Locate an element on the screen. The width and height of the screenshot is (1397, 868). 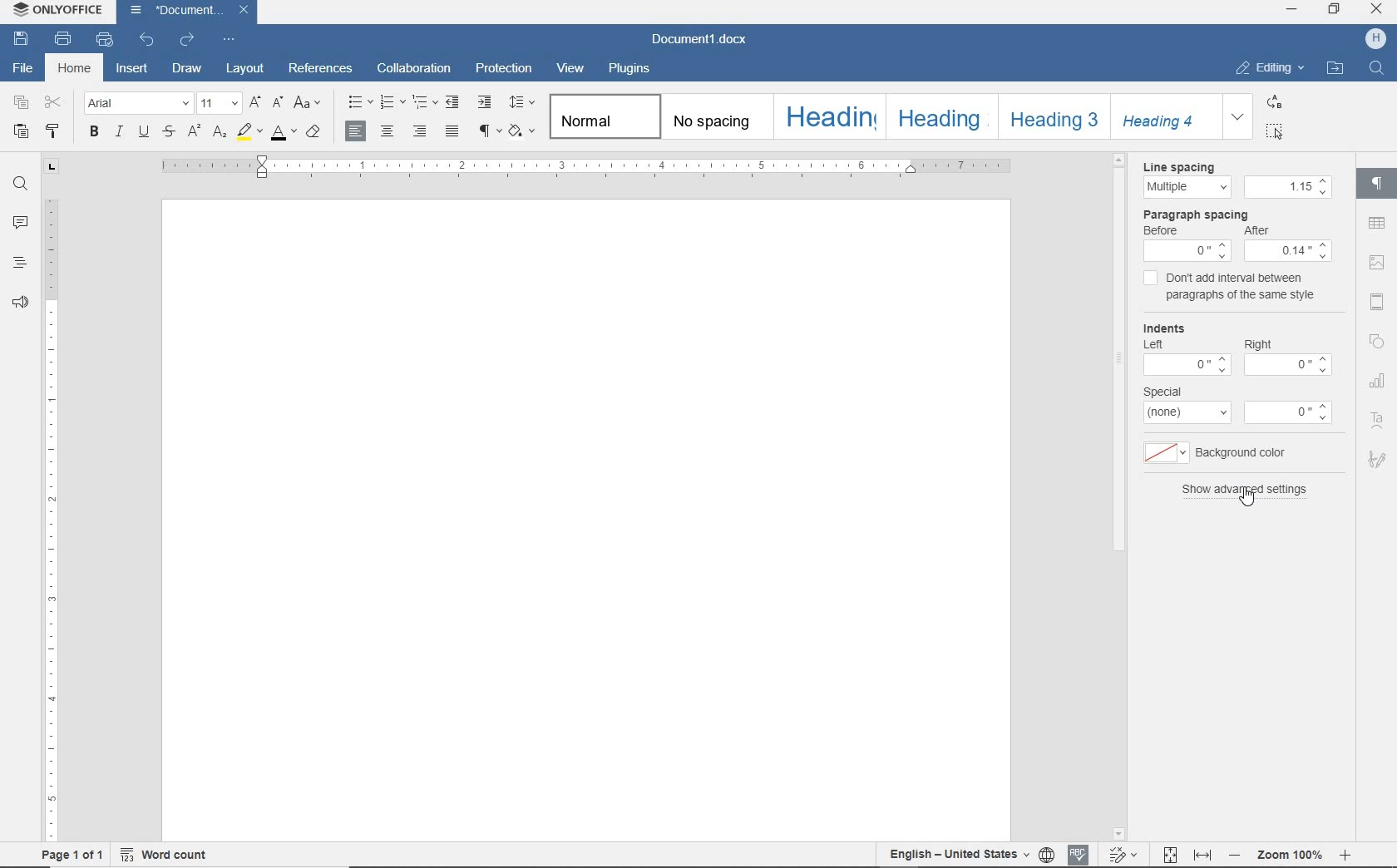
draw is located at coordinates (189, 69).